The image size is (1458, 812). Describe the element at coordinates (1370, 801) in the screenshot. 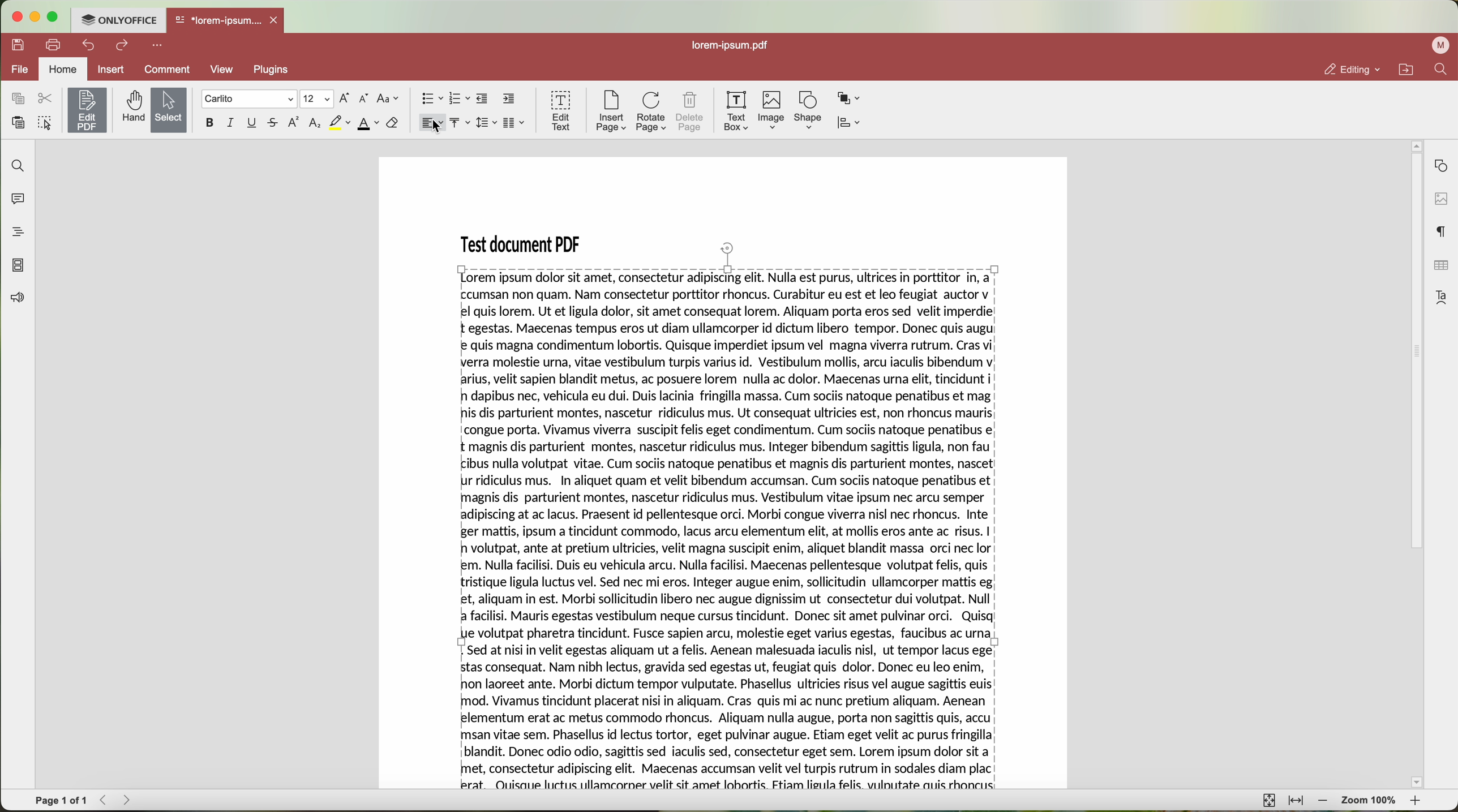

I see `zoom 100%` at that location.